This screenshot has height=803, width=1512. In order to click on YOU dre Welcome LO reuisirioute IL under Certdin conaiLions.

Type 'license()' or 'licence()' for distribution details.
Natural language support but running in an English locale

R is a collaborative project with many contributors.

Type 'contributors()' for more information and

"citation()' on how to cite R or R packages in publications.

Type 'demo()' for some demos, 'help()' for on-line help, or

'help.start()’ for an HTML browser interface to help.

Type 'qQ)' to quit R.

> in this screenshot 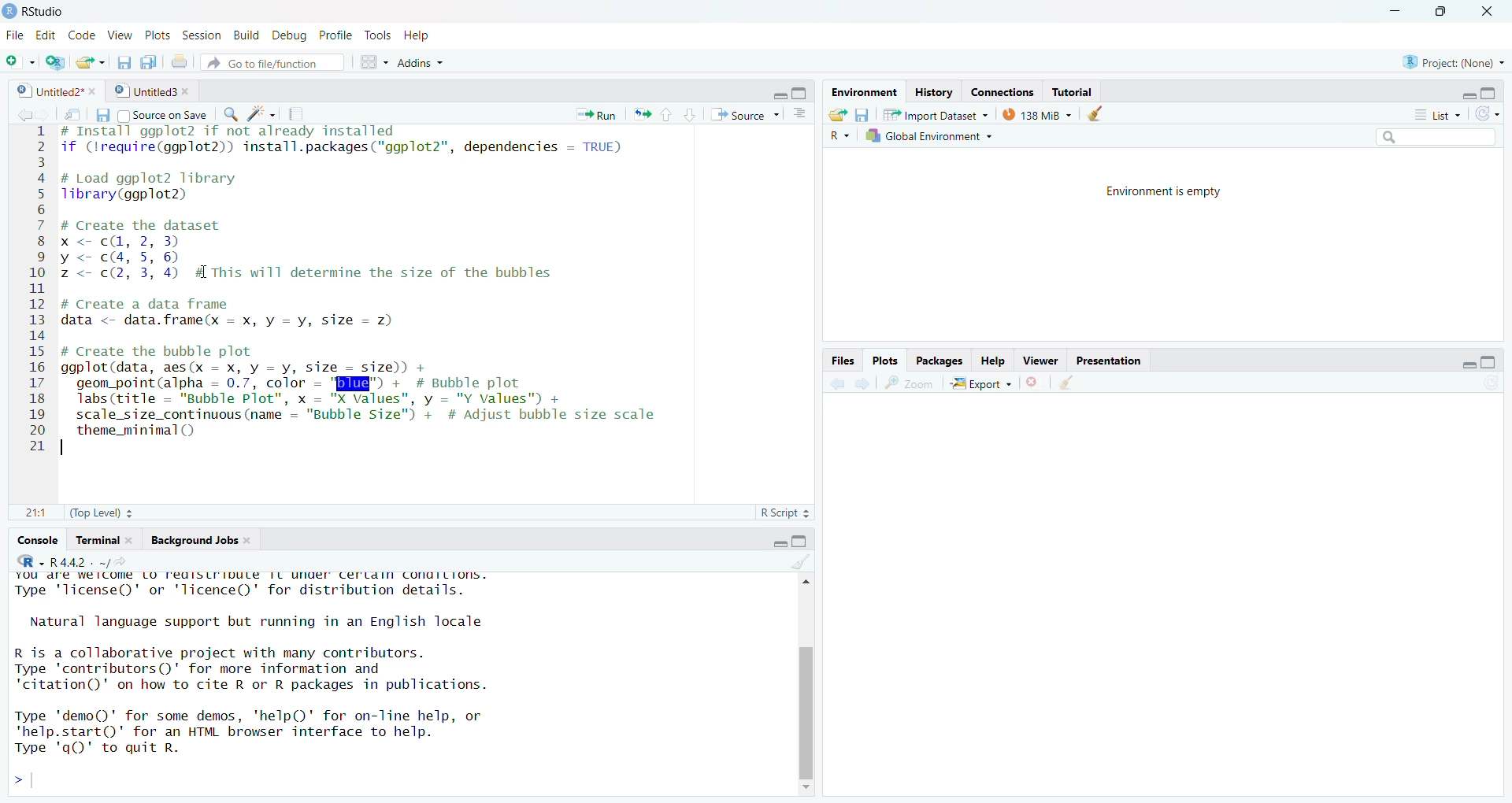, I will do `click(370, 683)`.